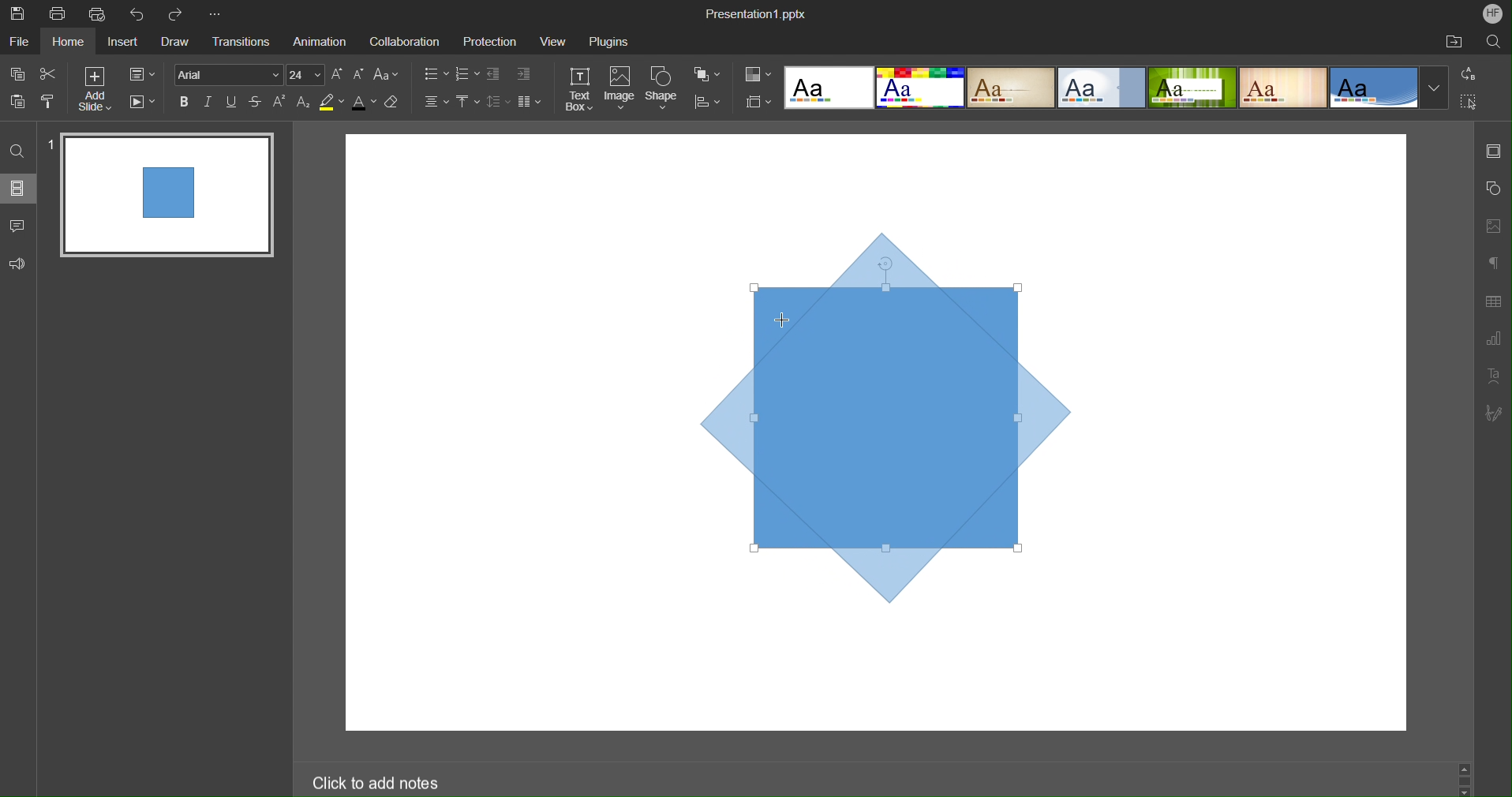 This screenshot has height=797, width=1512. I want to click on More, so click(215, 9).